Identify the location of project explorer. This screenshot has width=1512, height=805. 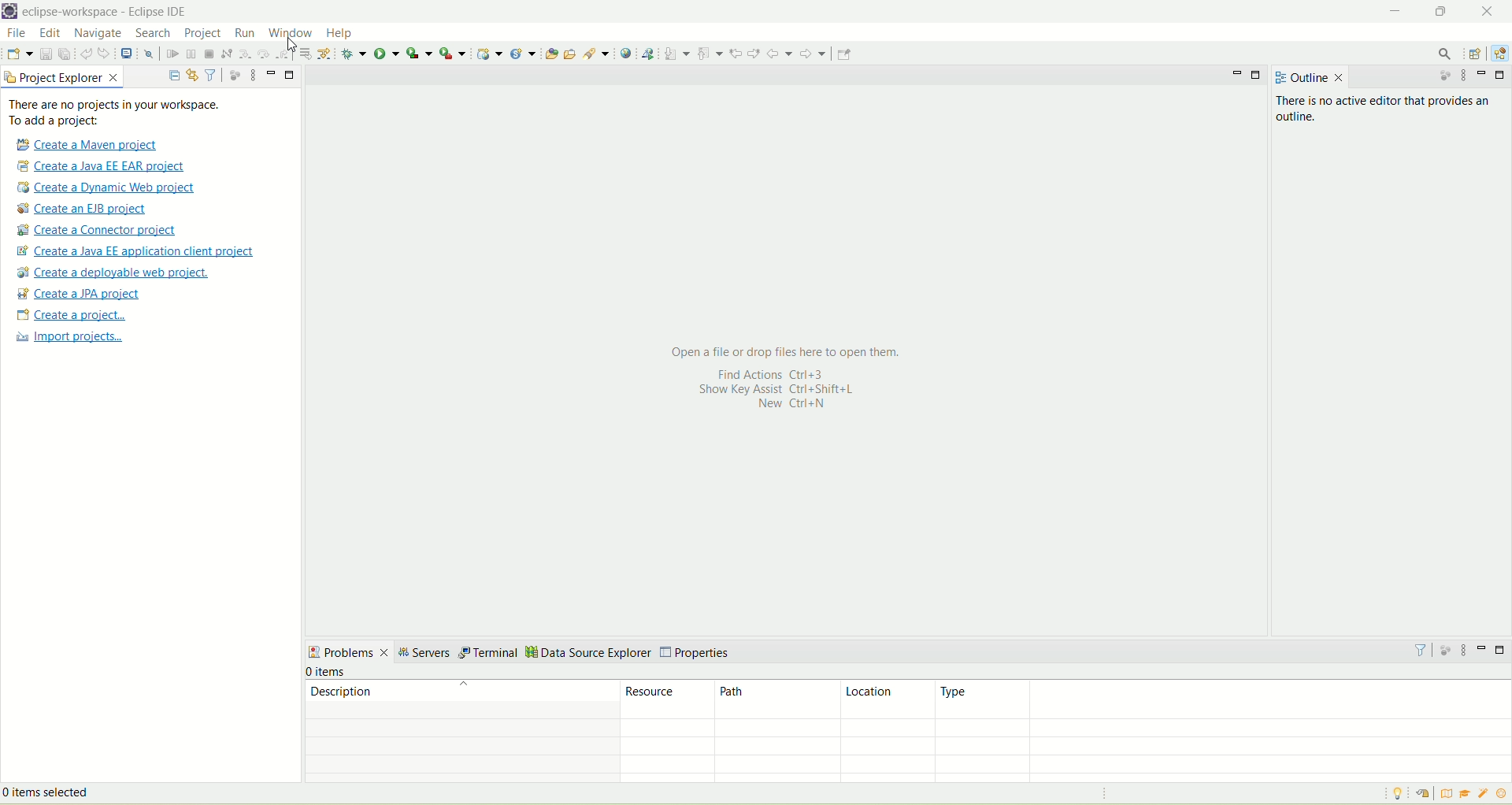
(62, 77).